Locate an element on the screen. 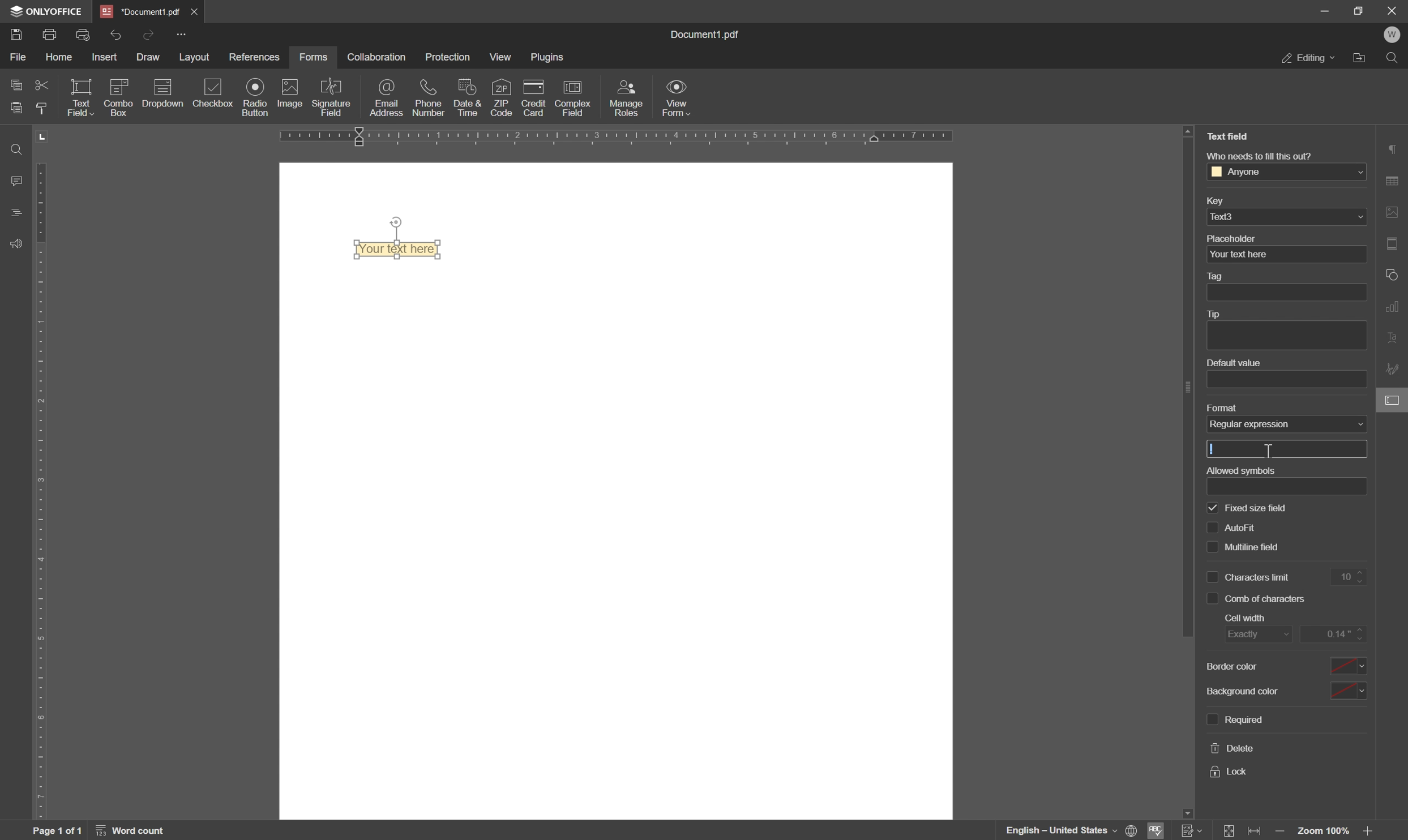 The image size is (1408, 840). Save is located at coordinates (17, 36).